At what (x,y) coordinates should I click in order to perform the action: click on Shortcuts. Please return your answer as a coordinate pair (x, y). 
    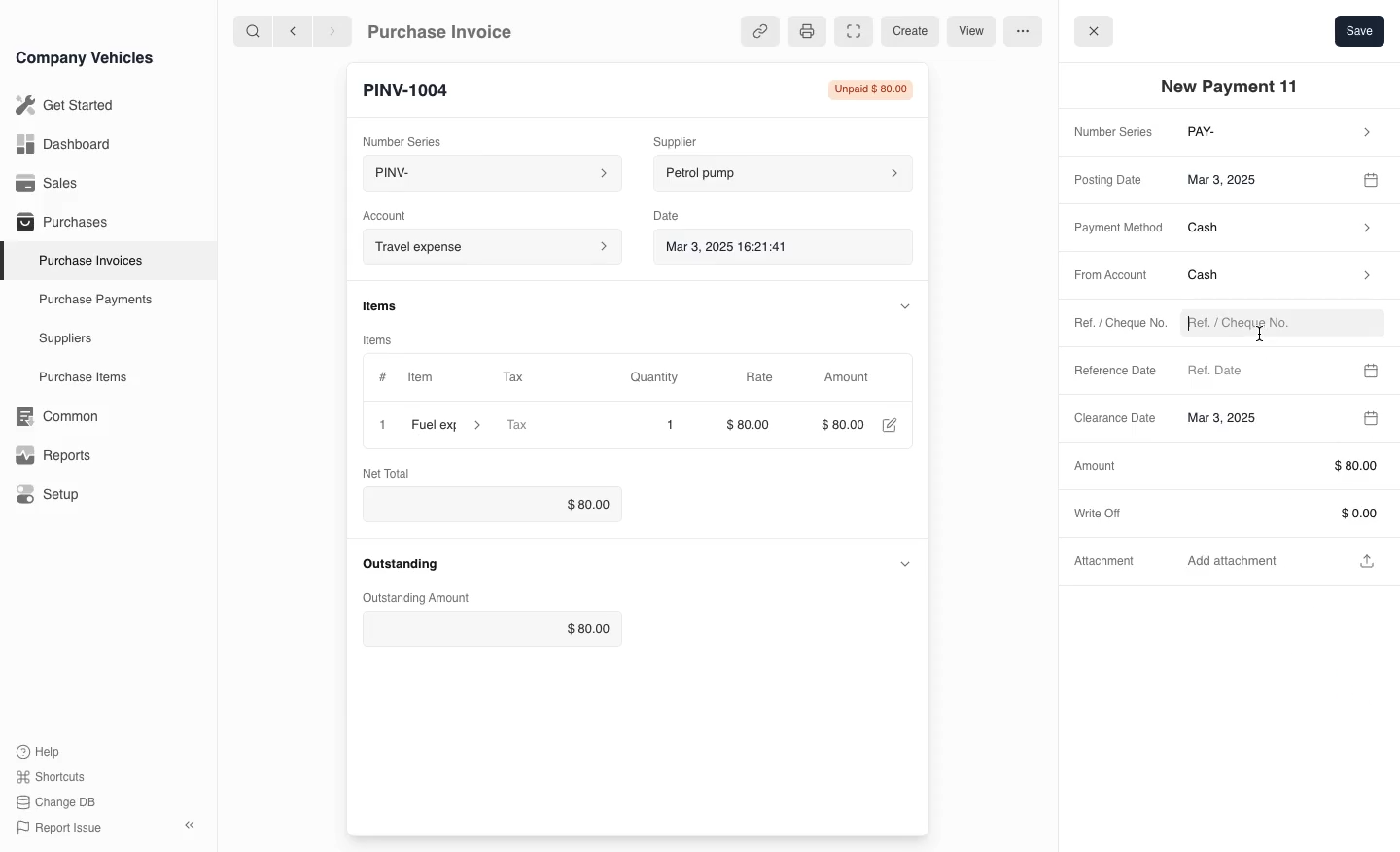
    Looking at the image, I should click on (52, 778).